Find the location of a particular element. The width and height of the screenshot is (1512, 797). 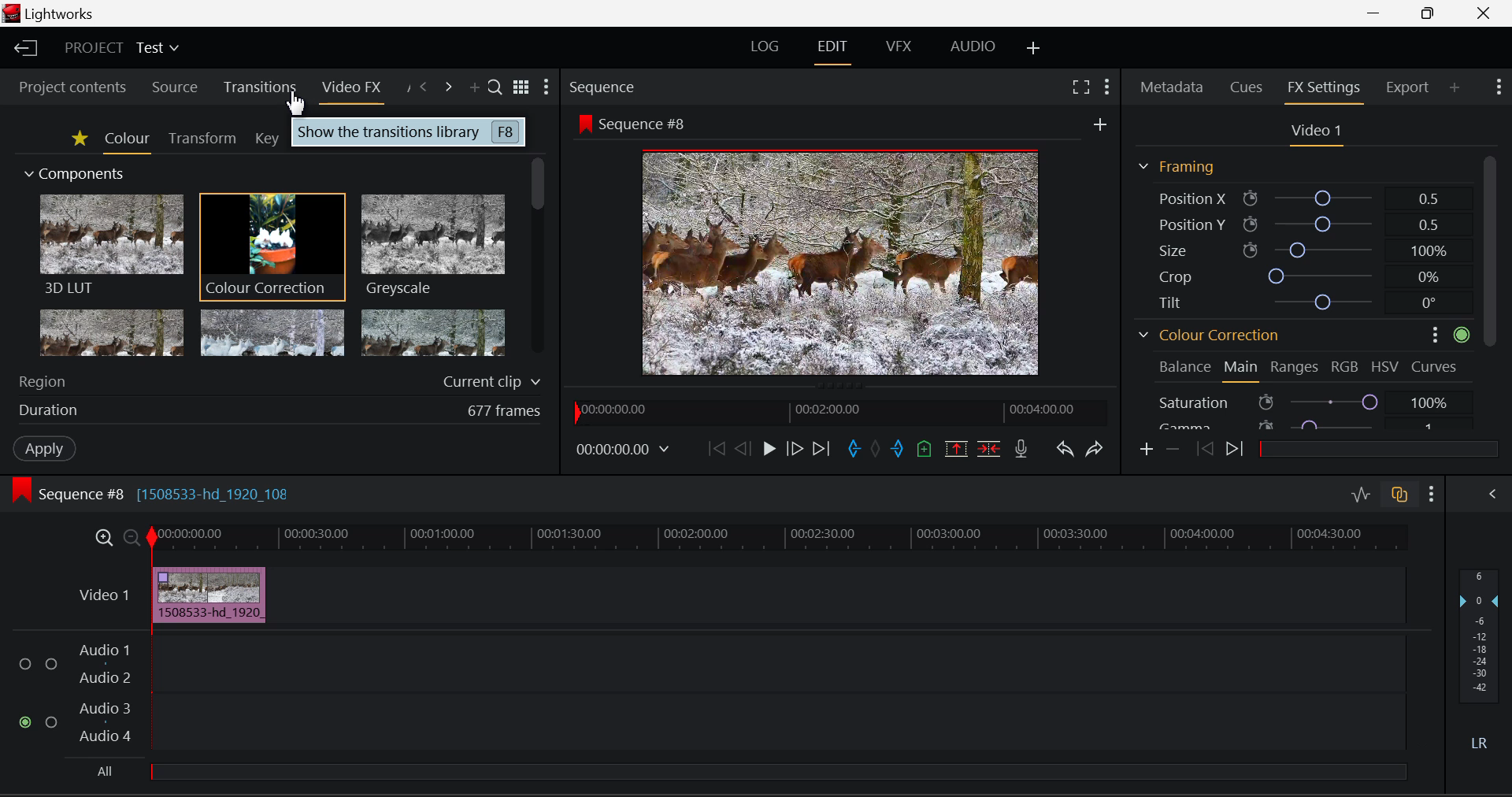

more options is located at coordinates (1429, 334).